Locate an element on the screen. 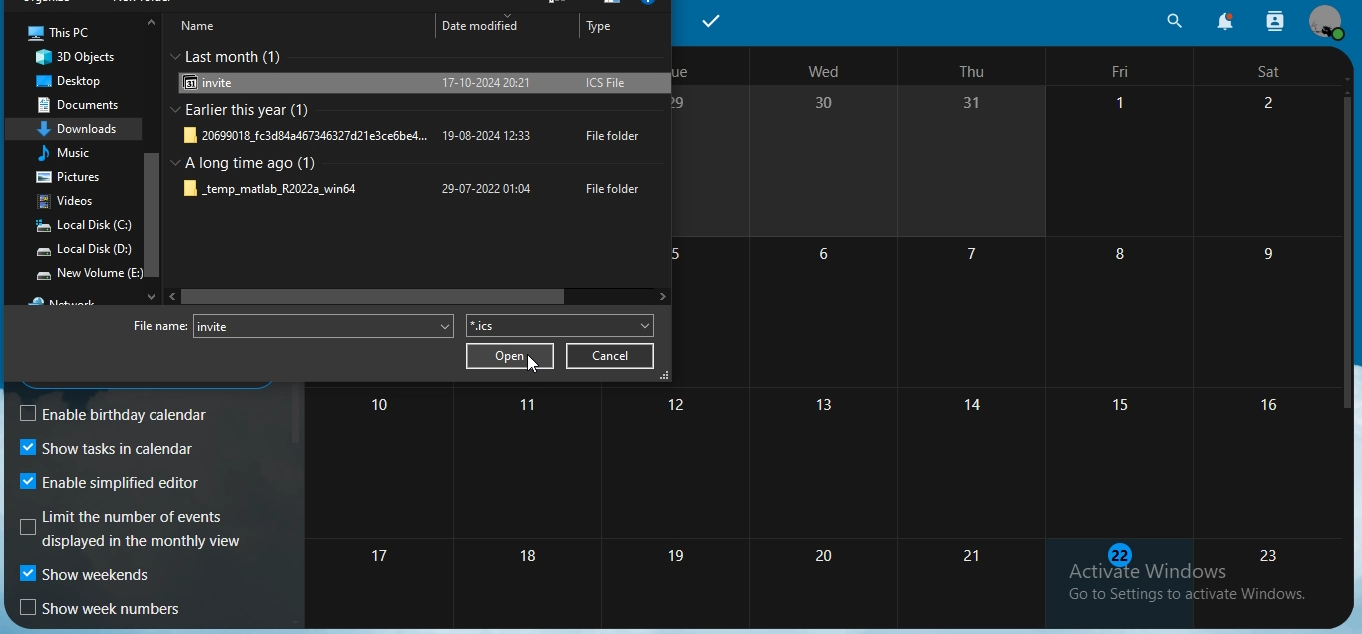  videos is located at coordinates (71, 203).